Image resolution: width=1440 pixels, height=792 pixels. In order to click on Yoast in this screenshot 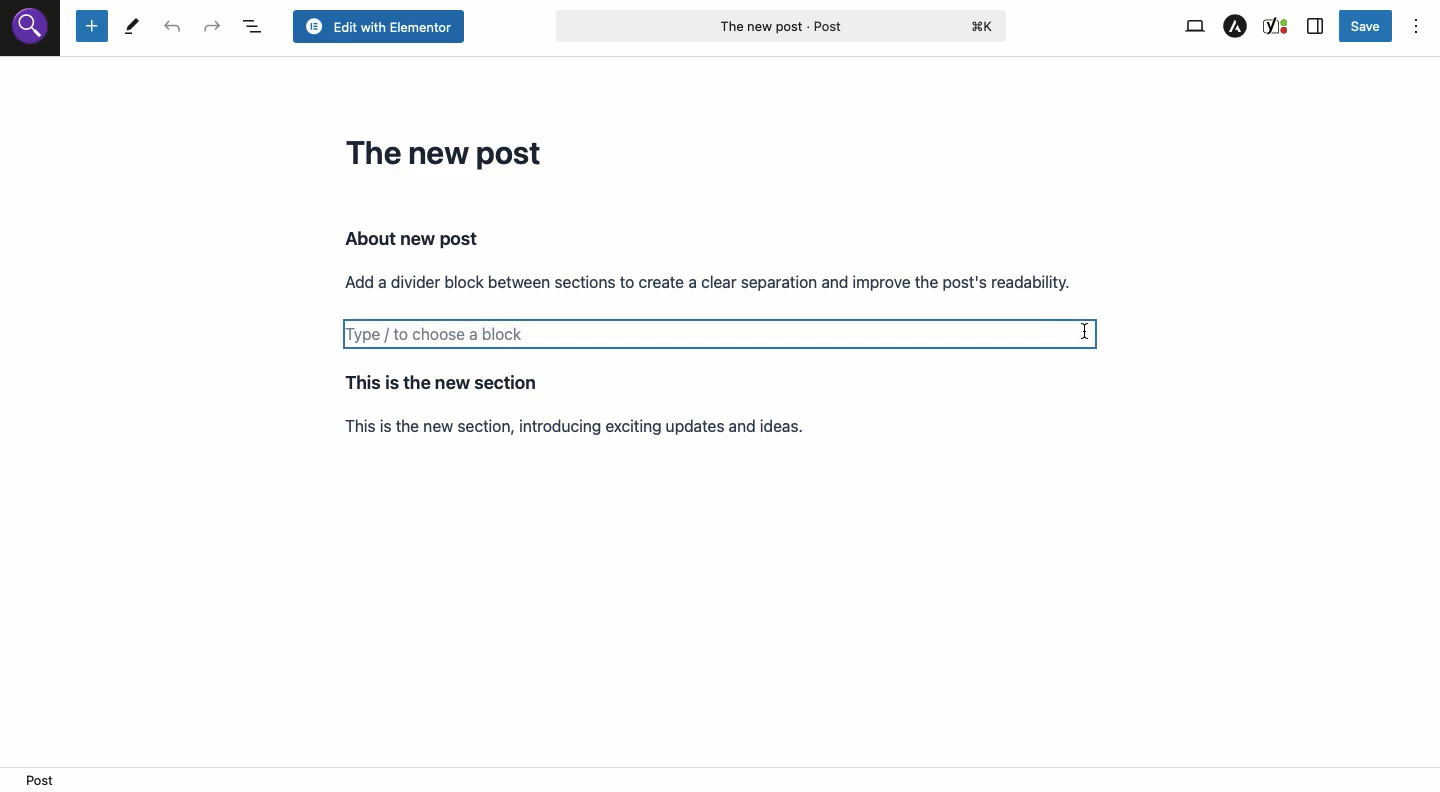, I will do `click(1277, 25)`.